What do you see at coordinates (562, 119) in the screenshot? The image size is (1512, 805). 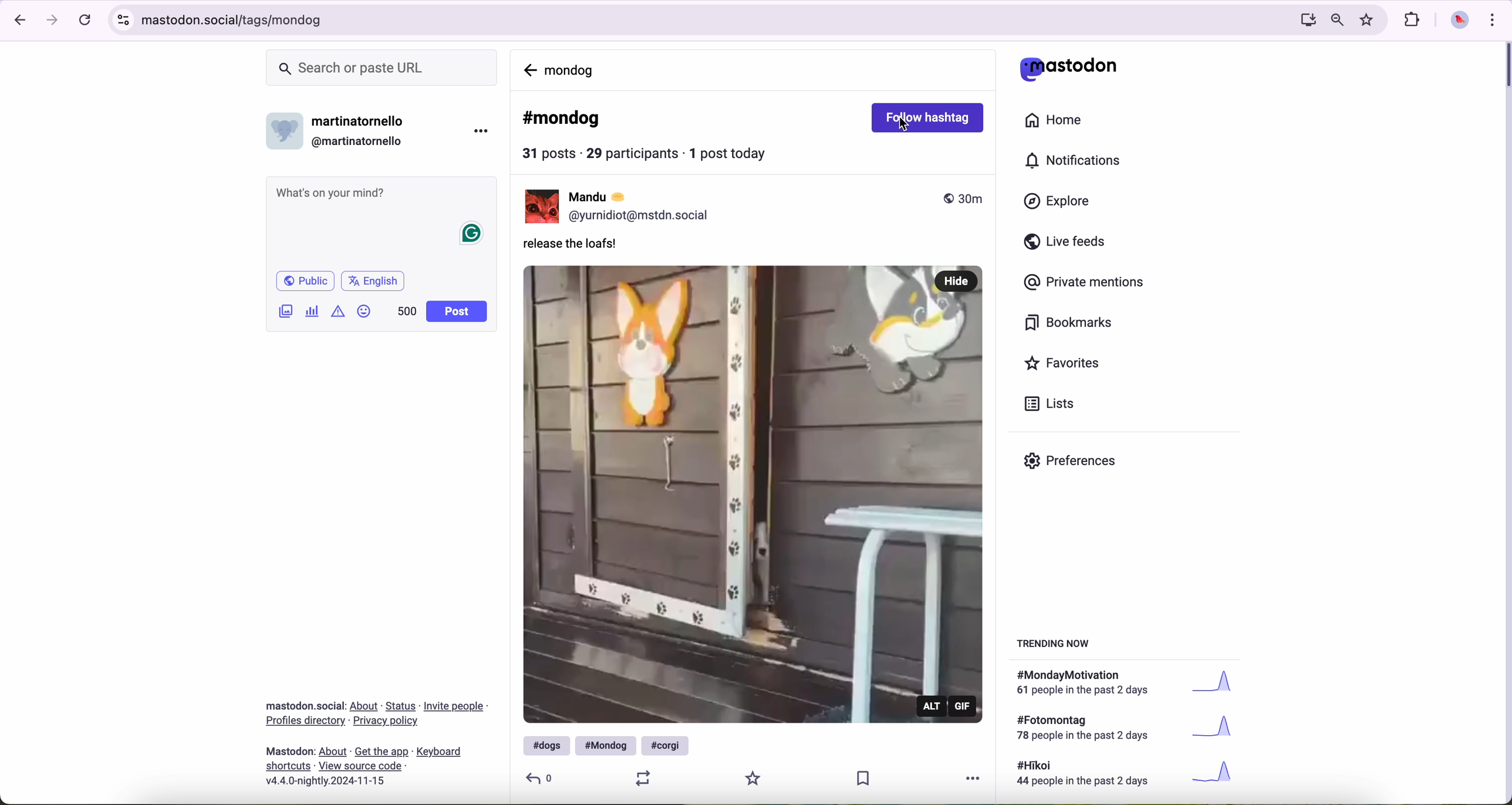 I see `#mondog` at bounding box center [562, 119].